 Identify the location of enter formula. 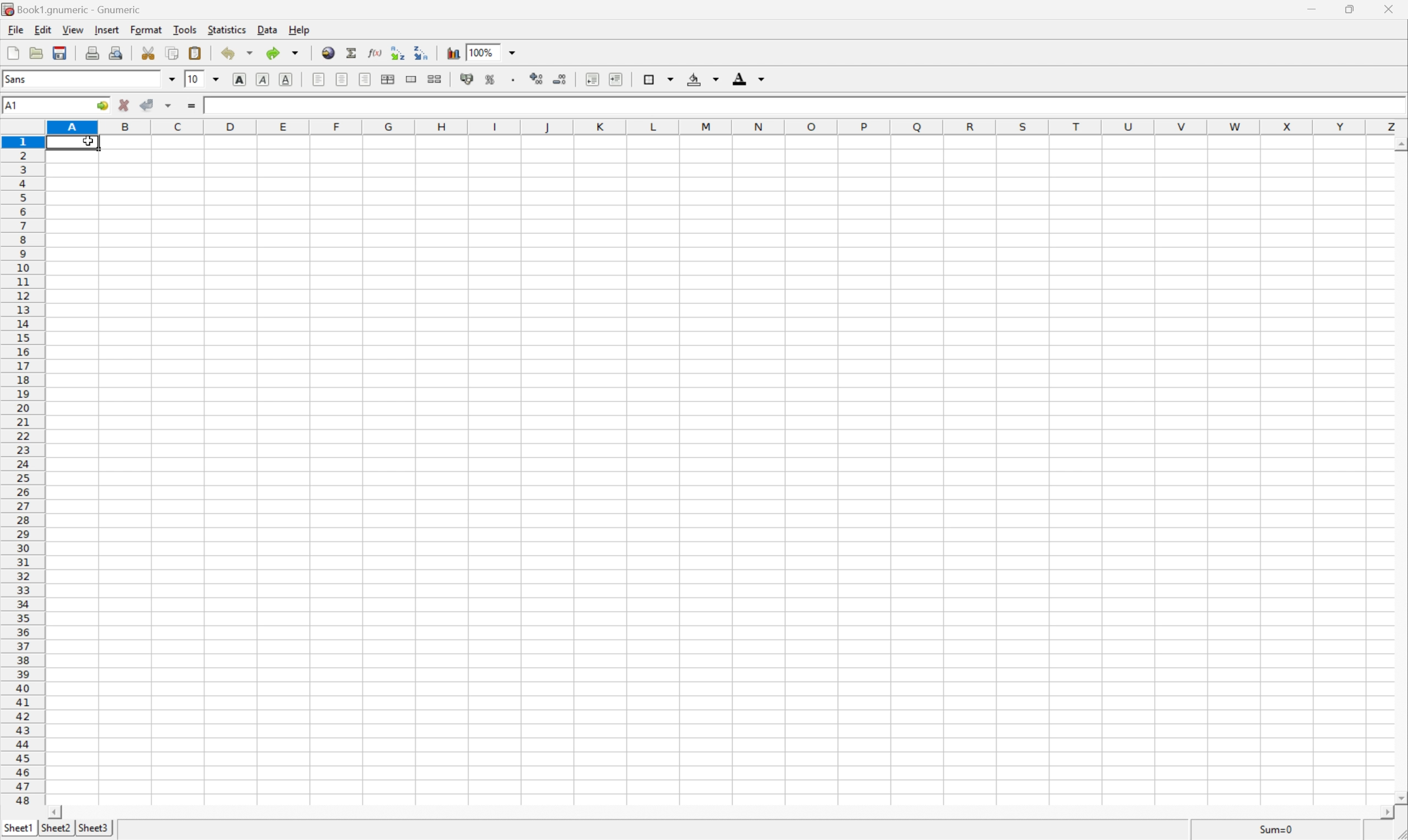
(193, 108).